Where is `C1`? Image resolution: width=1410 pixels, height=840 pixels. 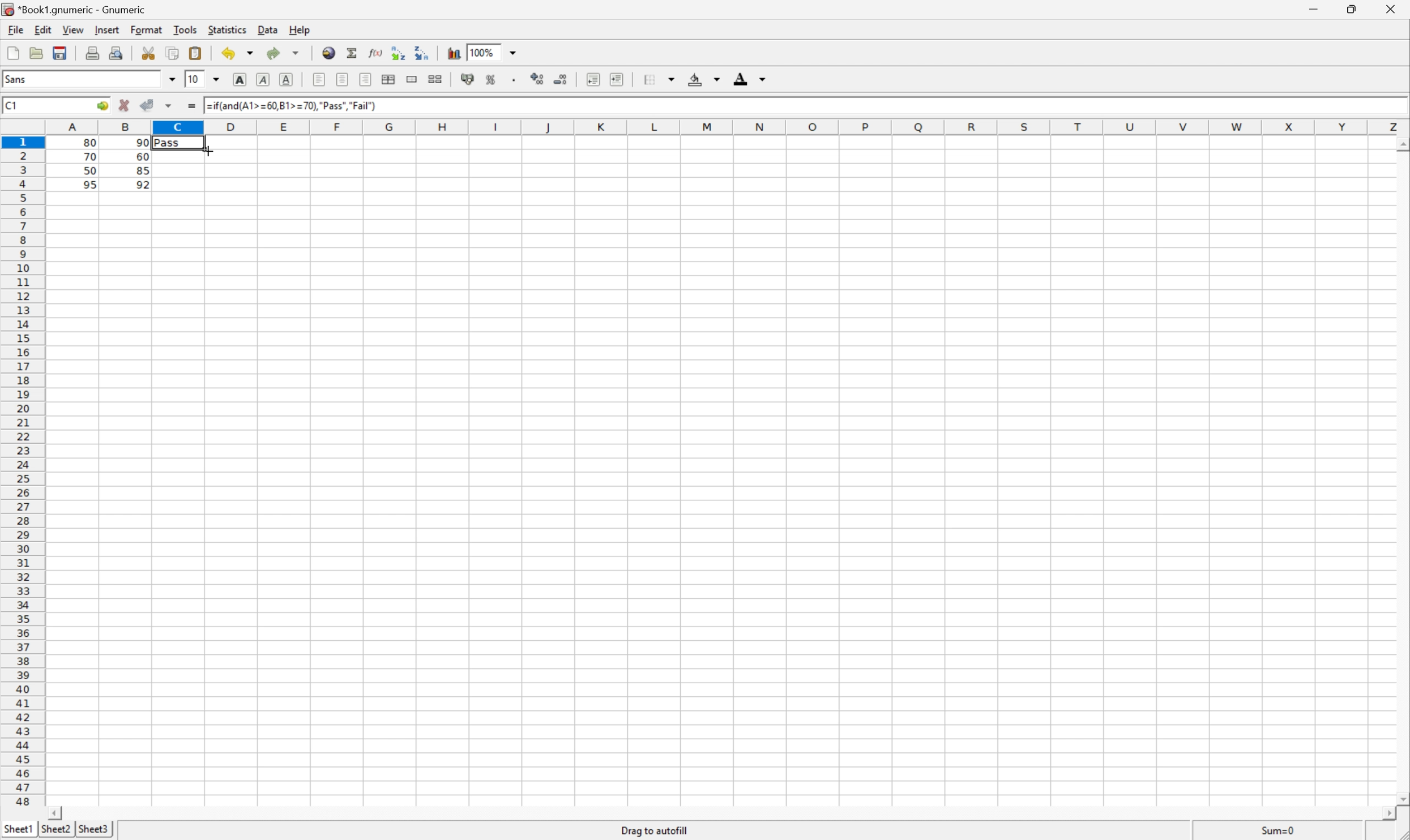 C1 is located at coordinates (14, 106).